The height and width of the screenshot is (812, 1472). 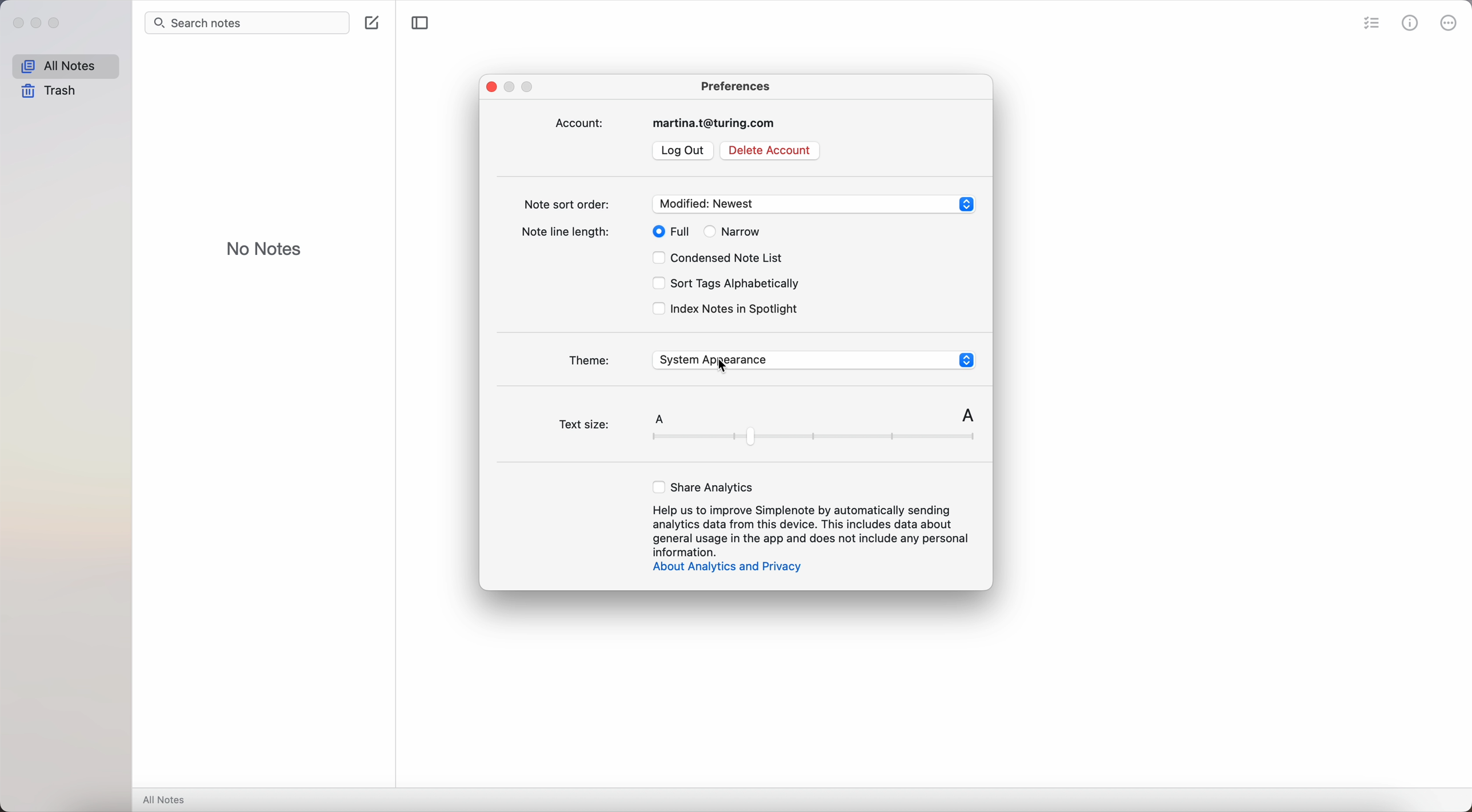 I want to click on all notes, so click(x=66, y=65).